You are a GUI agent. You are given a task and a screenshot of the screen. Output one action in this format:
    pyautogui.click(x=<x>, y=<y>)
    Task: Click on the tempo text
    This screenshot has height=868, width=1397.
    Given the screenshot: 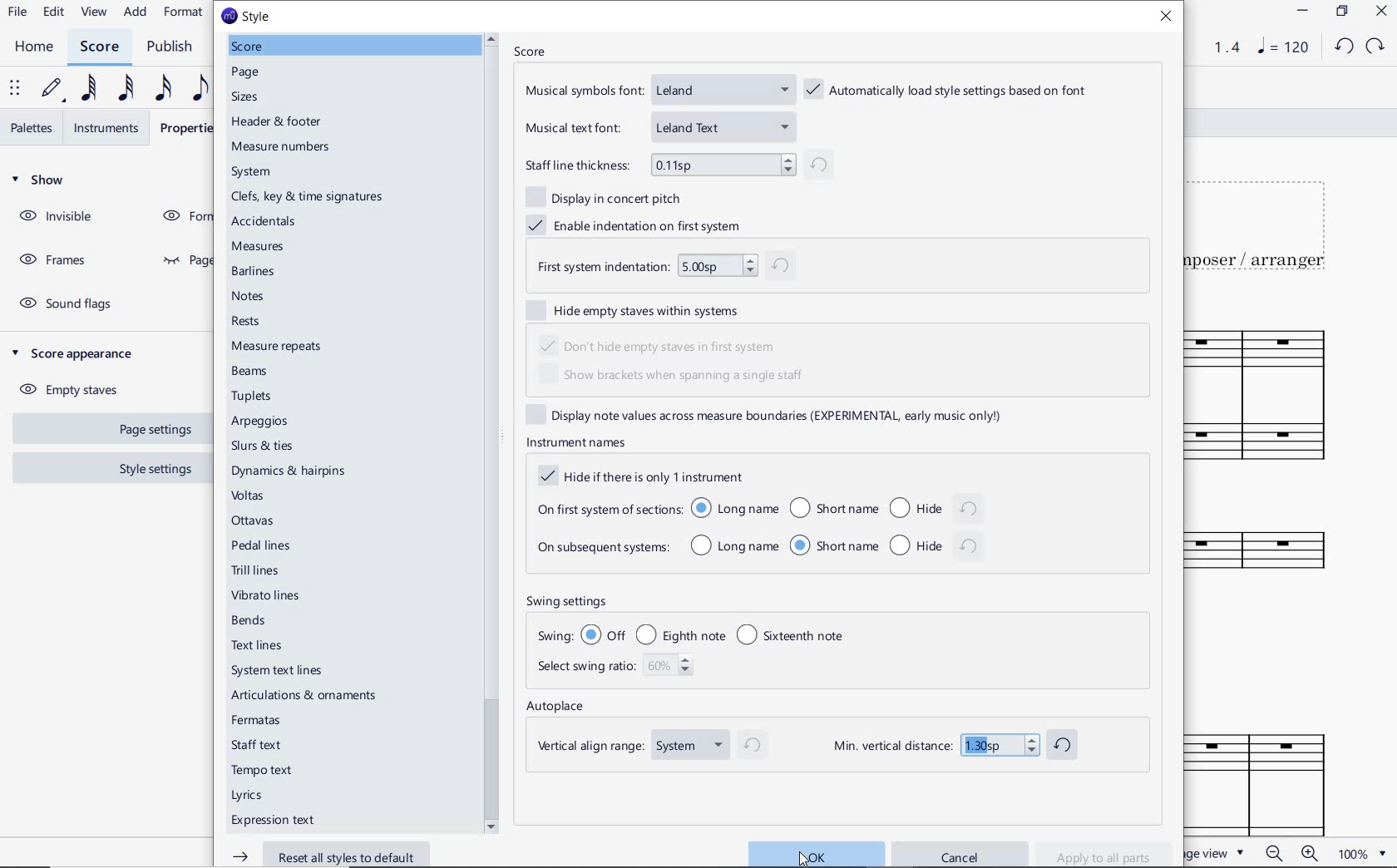 What is the action you would take?
    pyautogui.click(x=261, y=771)
    